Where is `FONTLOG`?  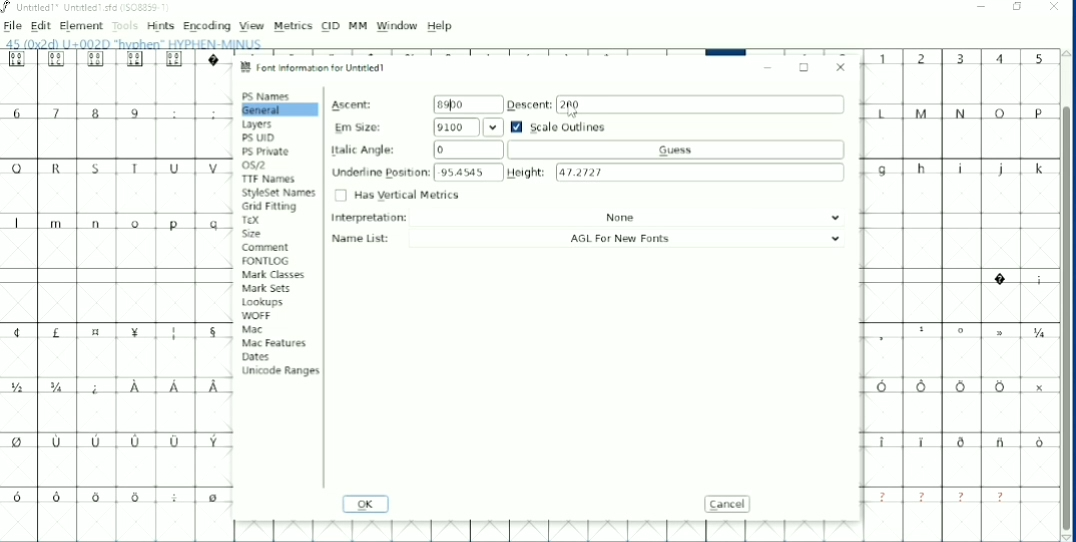
FONTLOG is located at coordinates (266, 261).